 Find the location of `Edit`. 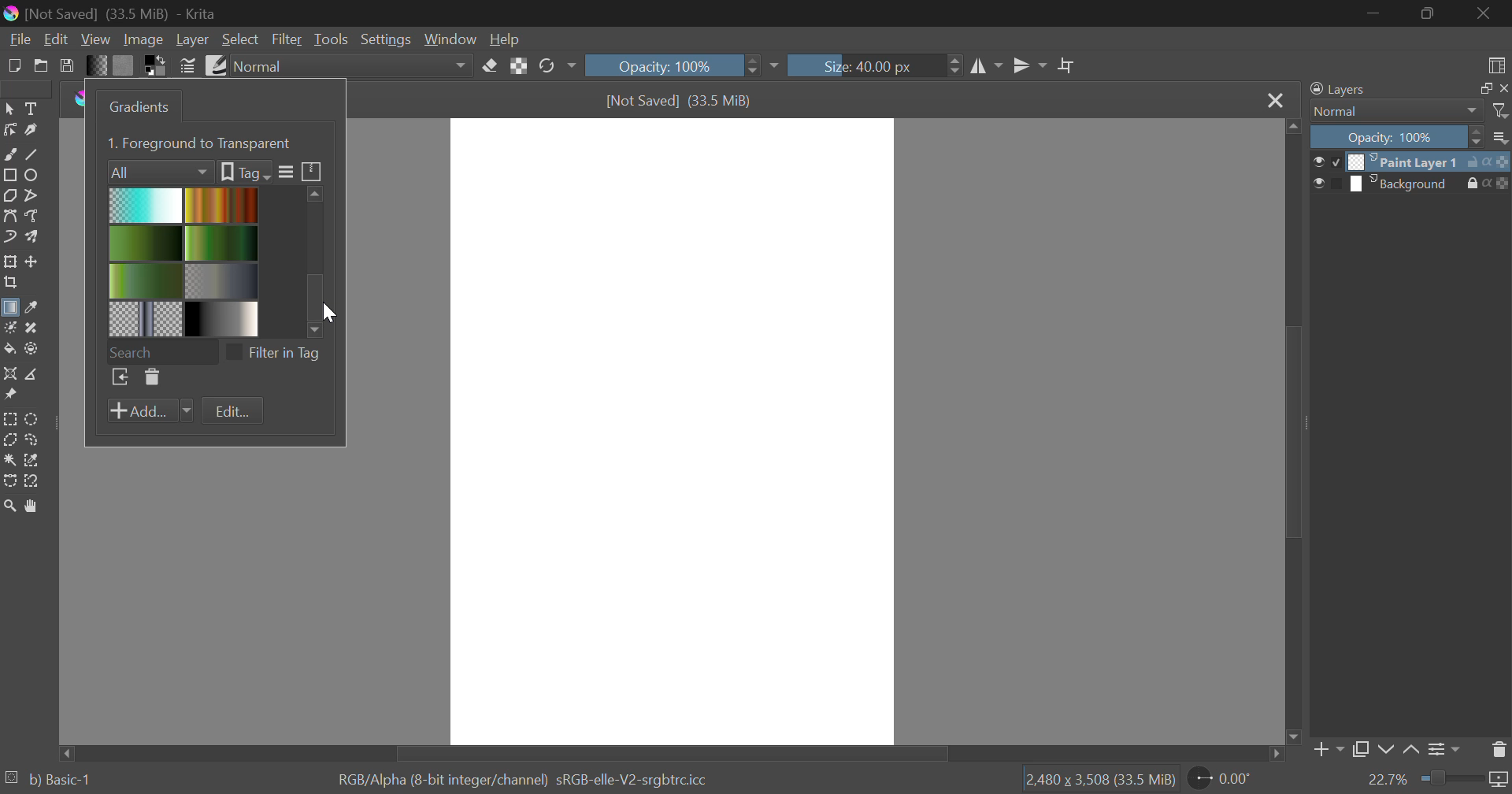

Edit is located at coordinates (57, 39).